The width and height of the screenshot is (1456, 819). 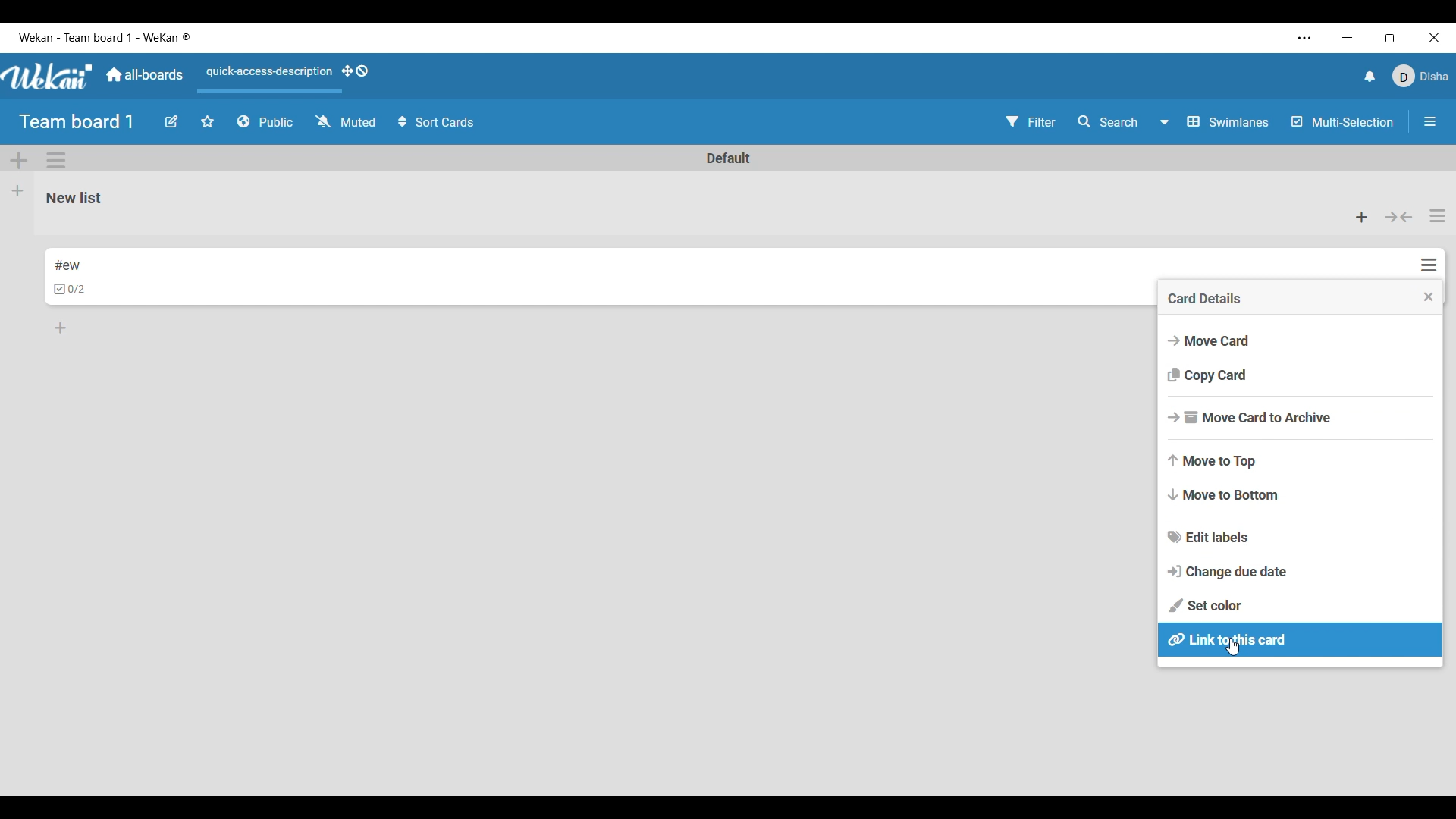 What do you see at coordinates (1429, 297) in the screenshot?
I see `Close menu` at bounding box center [1429, 297].